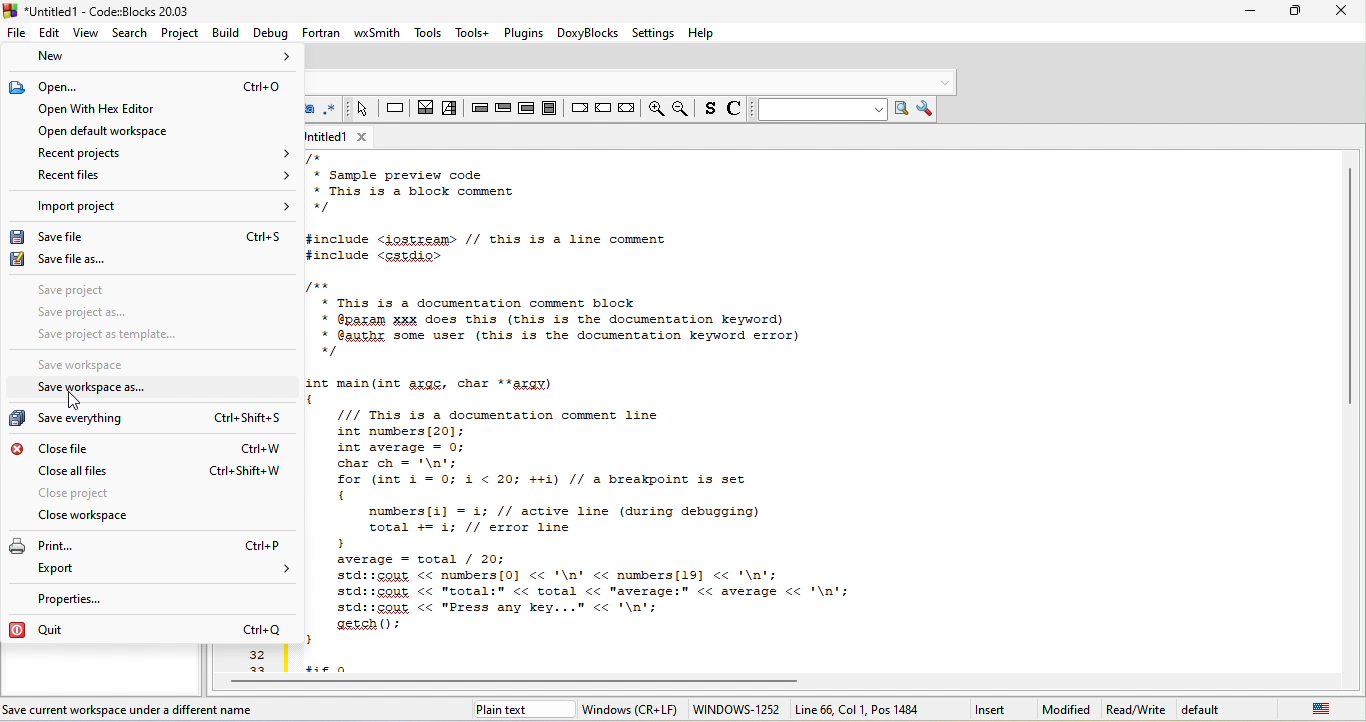  I want to click on fortran, so click(322, 32).